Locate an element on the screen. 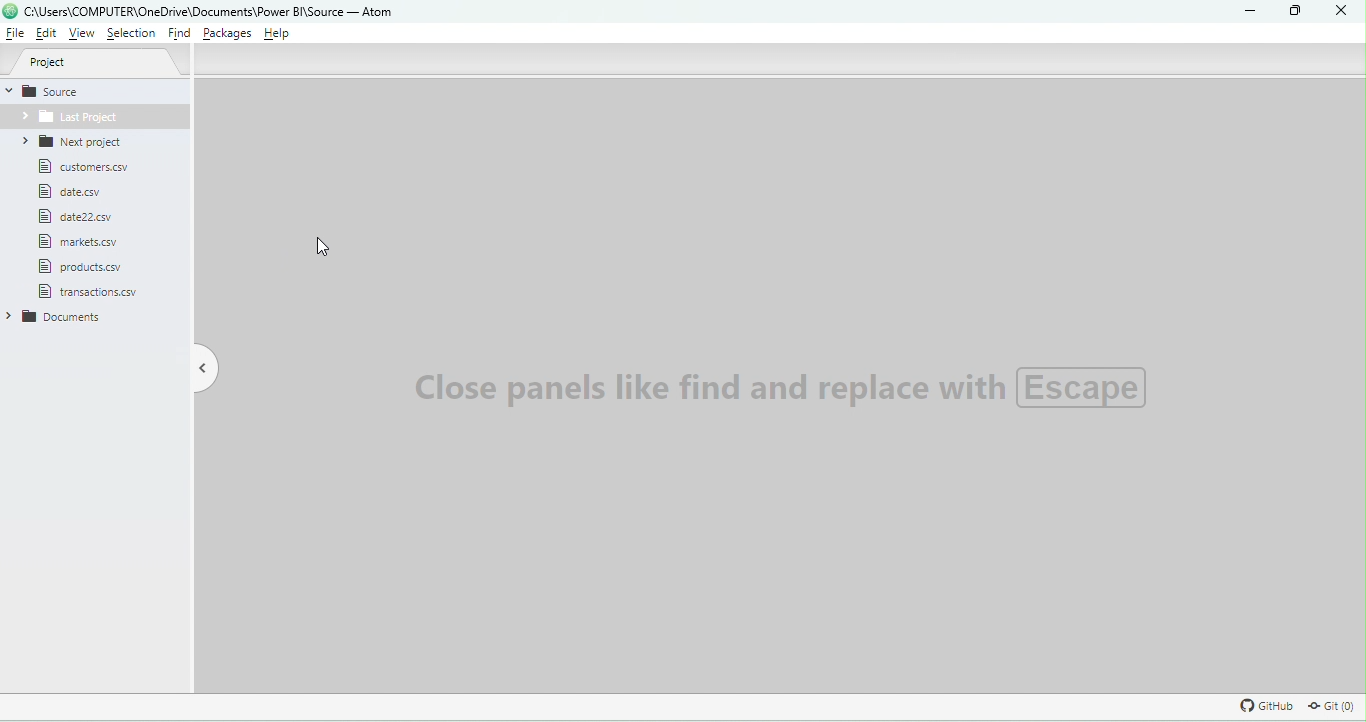  Folder is located at coordinates (65, 118).